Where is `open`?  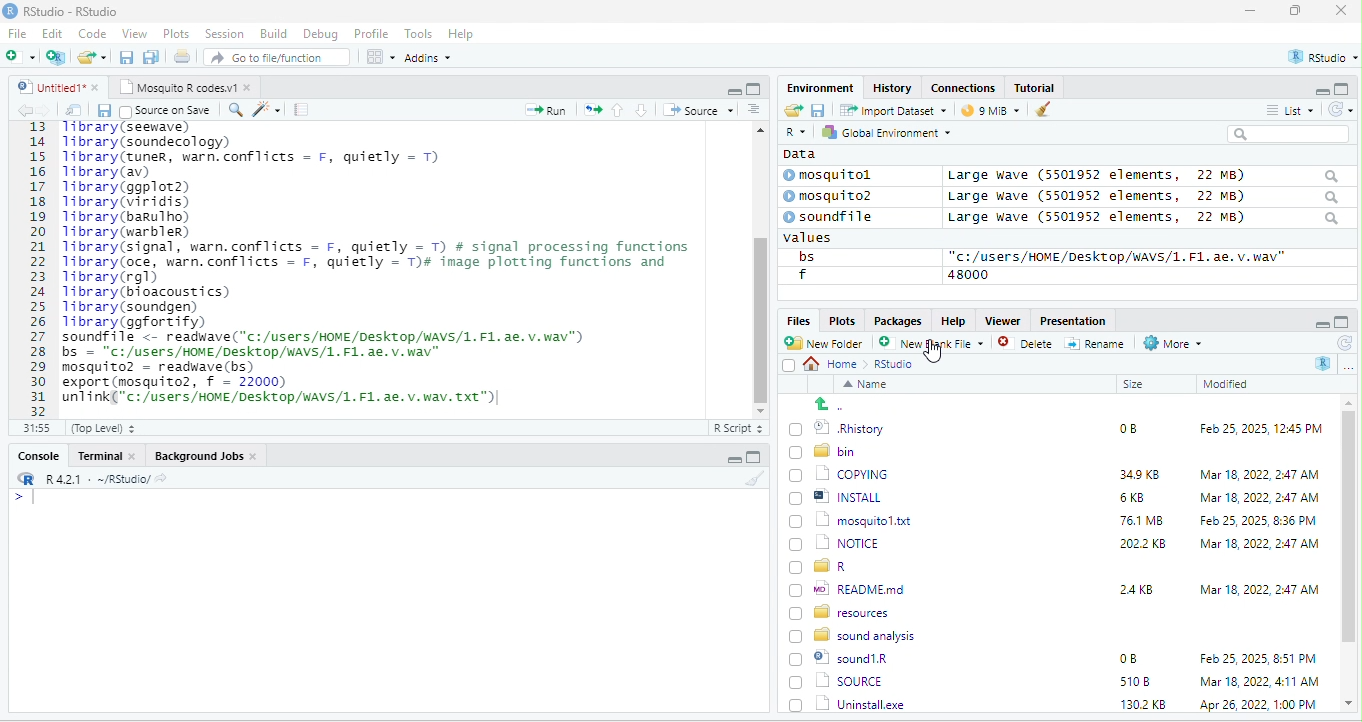 open is located at coordinates (184, 59).